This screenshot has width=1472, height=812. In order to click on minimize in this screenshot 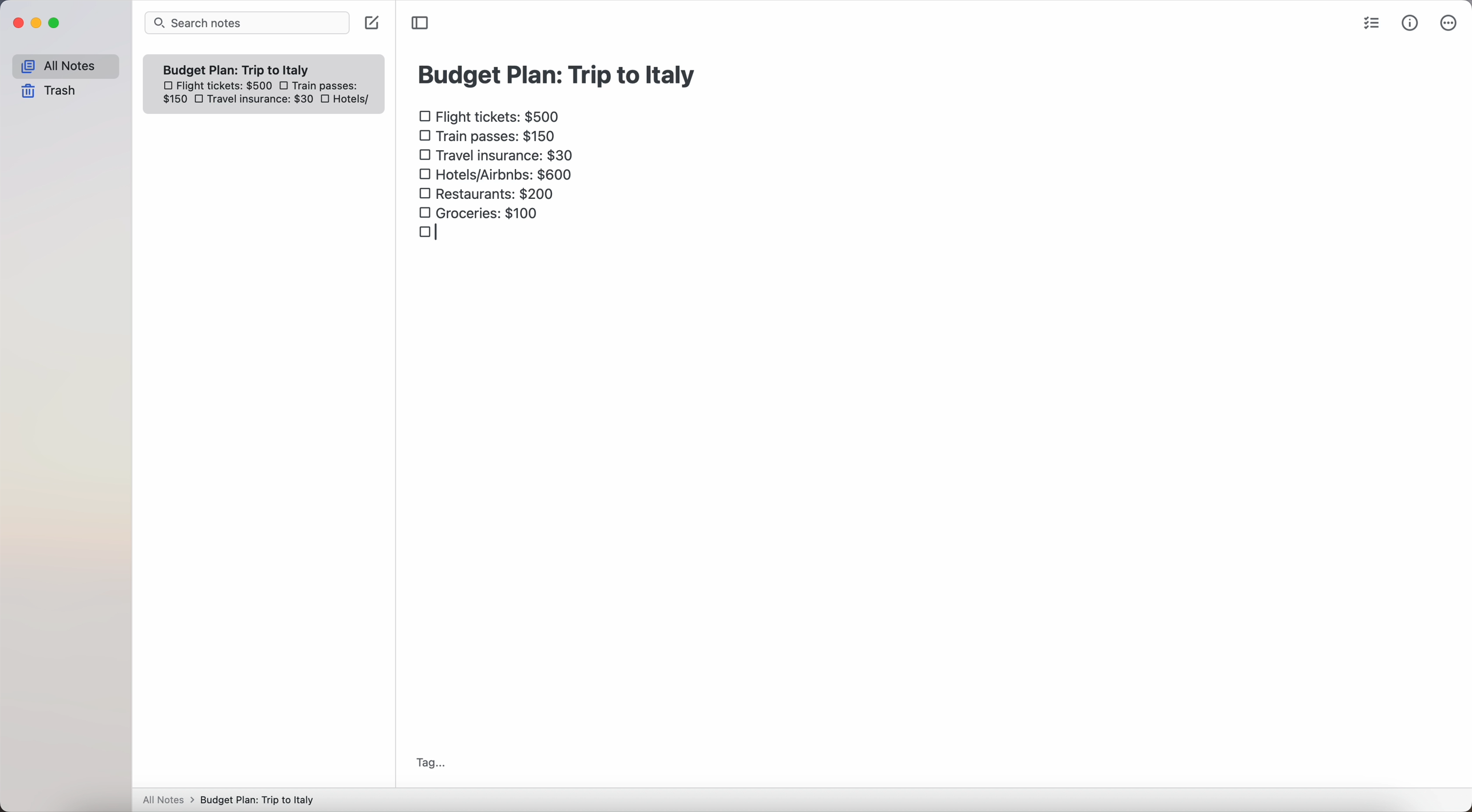, I will do `click(39, 23)`.